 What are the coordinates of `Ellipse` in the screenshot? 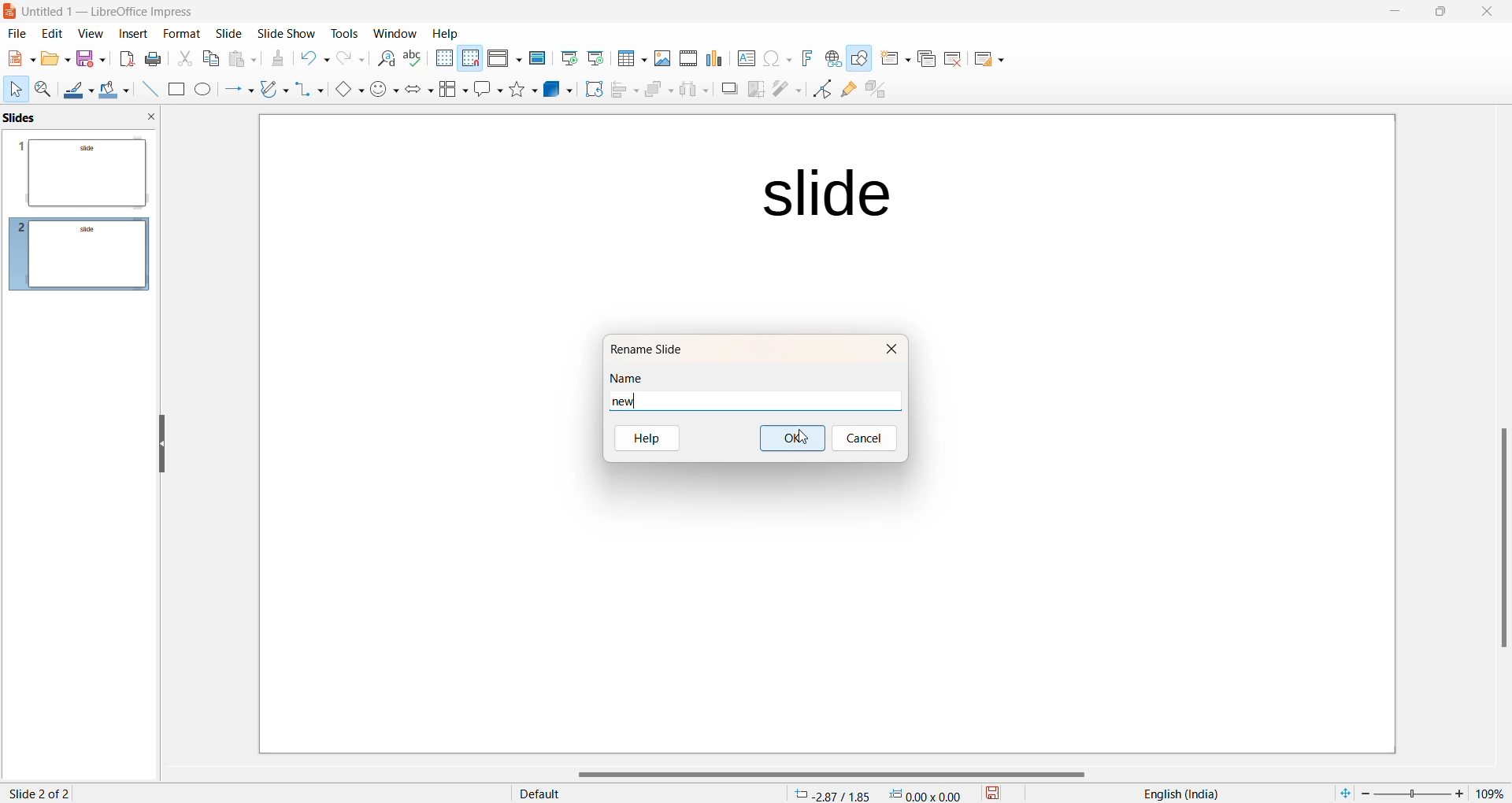 It's located at (202, 90).